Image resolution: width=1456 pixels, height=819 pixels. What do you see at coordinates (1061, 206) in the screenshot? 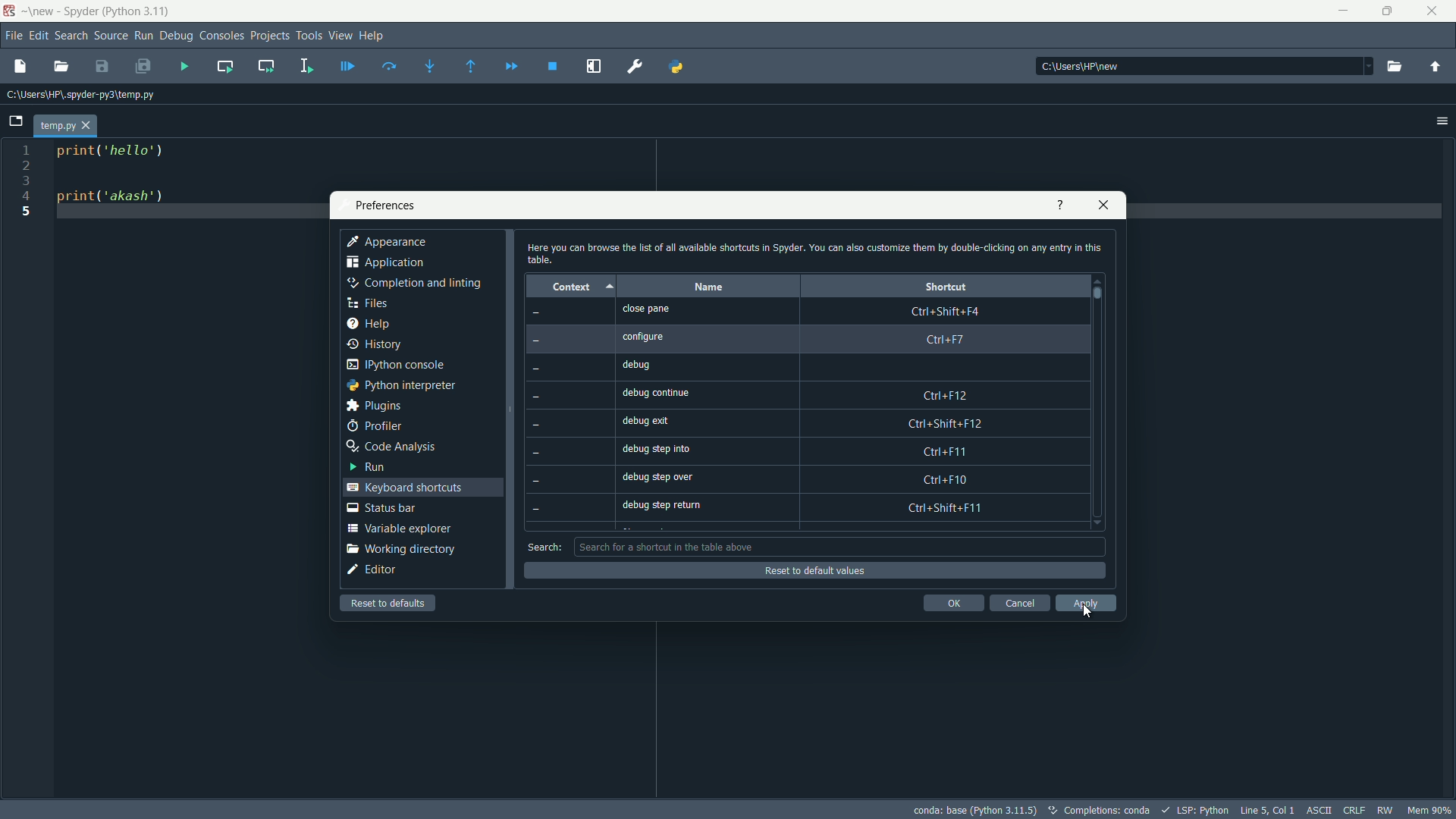
I see `get help` at bounding box center [1061, 206].